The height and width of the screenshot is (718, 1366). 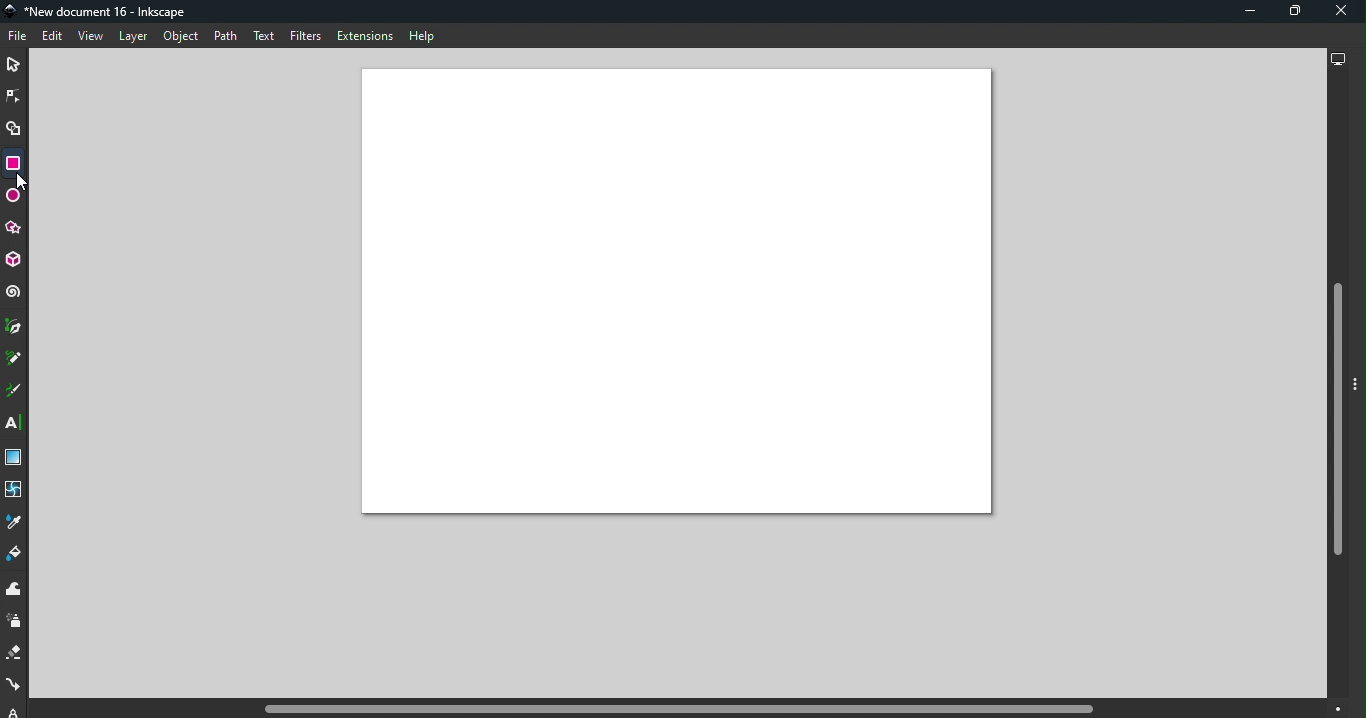 I want to click on Path, so click(x=225, y=38).